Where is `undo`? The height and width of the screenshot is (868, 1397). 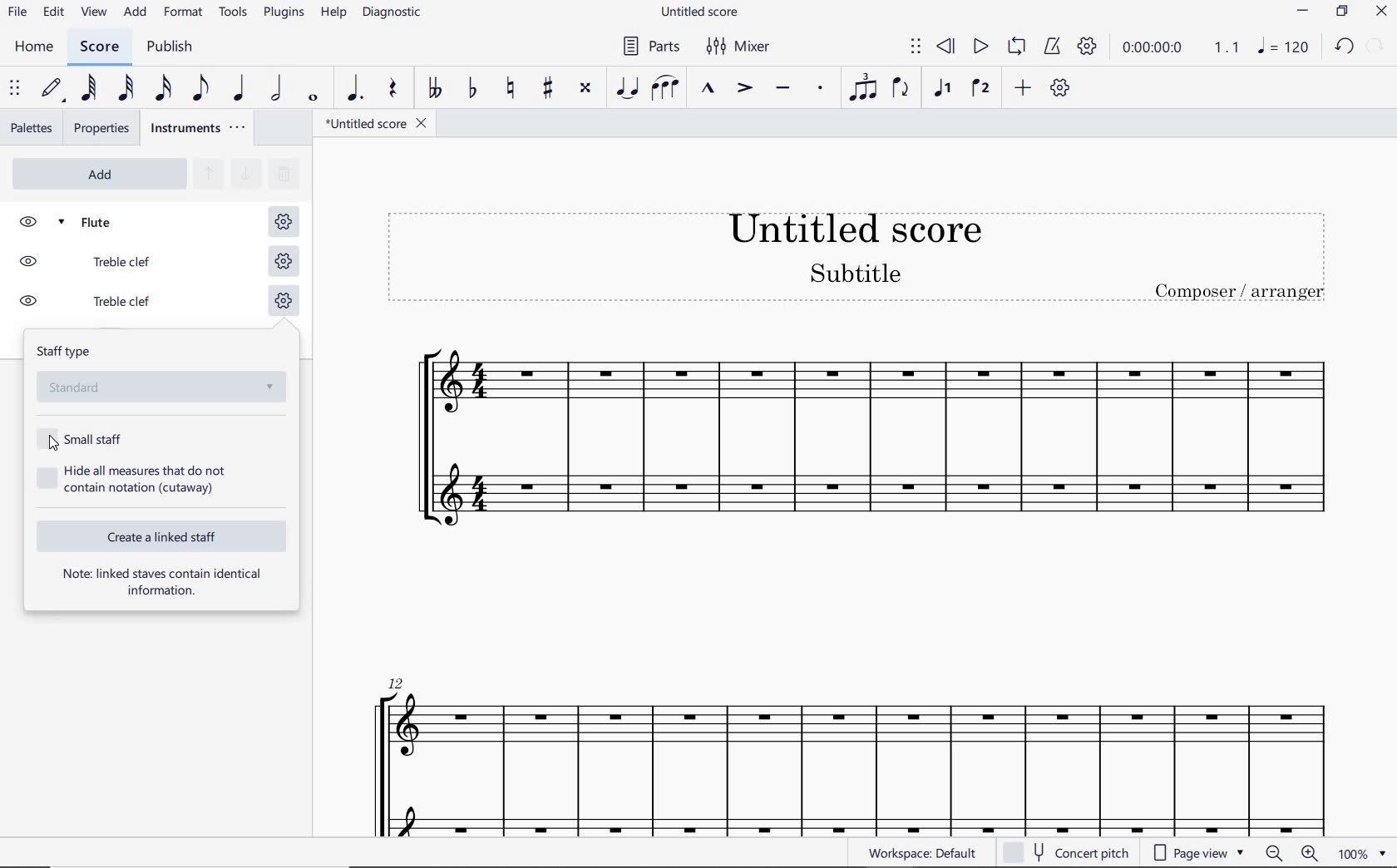 undo is located at coordinates (1345, 47).